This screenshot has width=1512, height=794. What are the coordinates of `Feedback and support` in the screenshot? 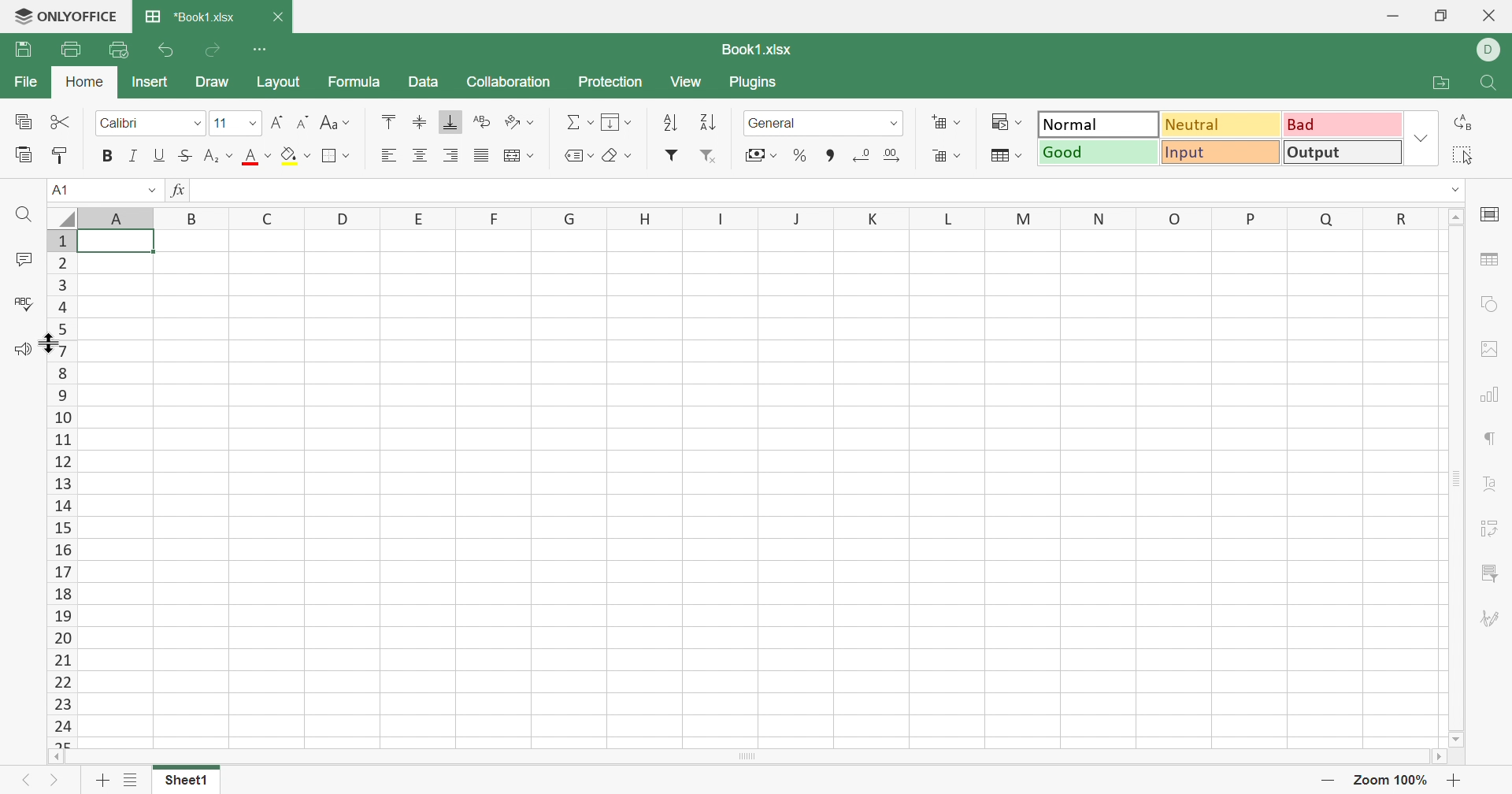 It's located at (22, 351).